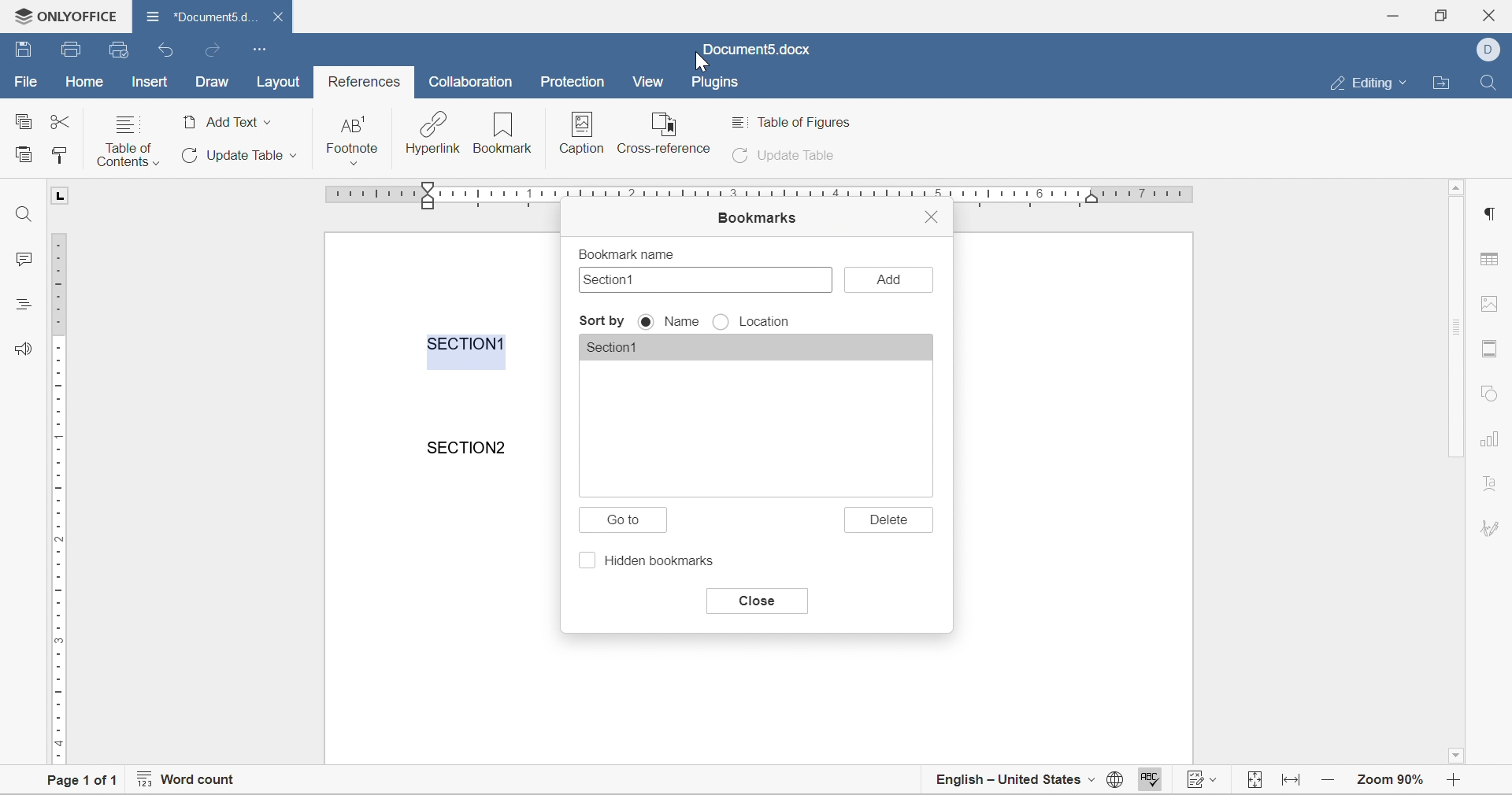 The image size is (1512, 795). I want to click on quick print, so click(120, 49).